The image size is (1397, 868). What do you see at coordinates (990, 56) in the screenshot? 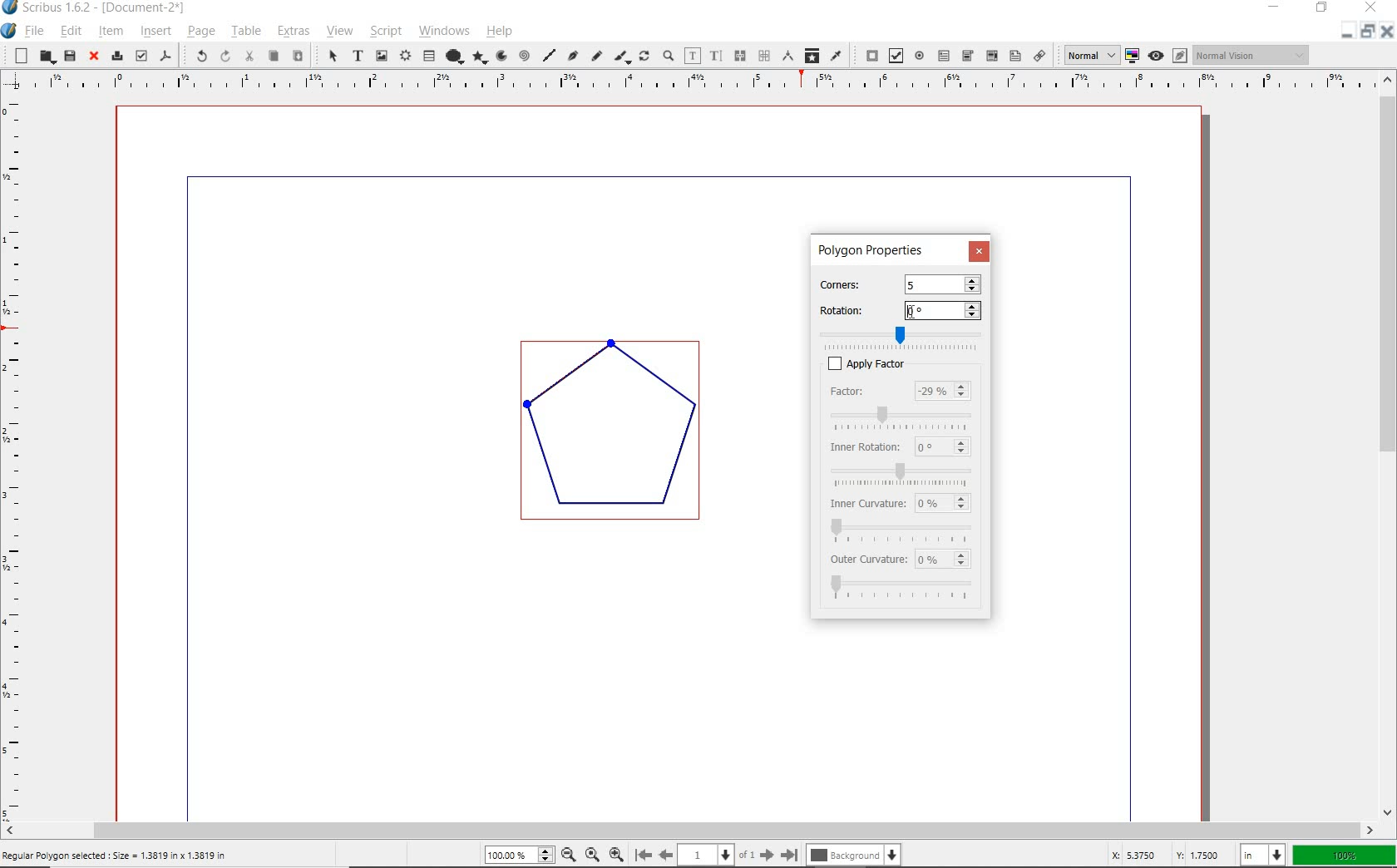
I see `pdf combo box` at bounding box center [990, 56].